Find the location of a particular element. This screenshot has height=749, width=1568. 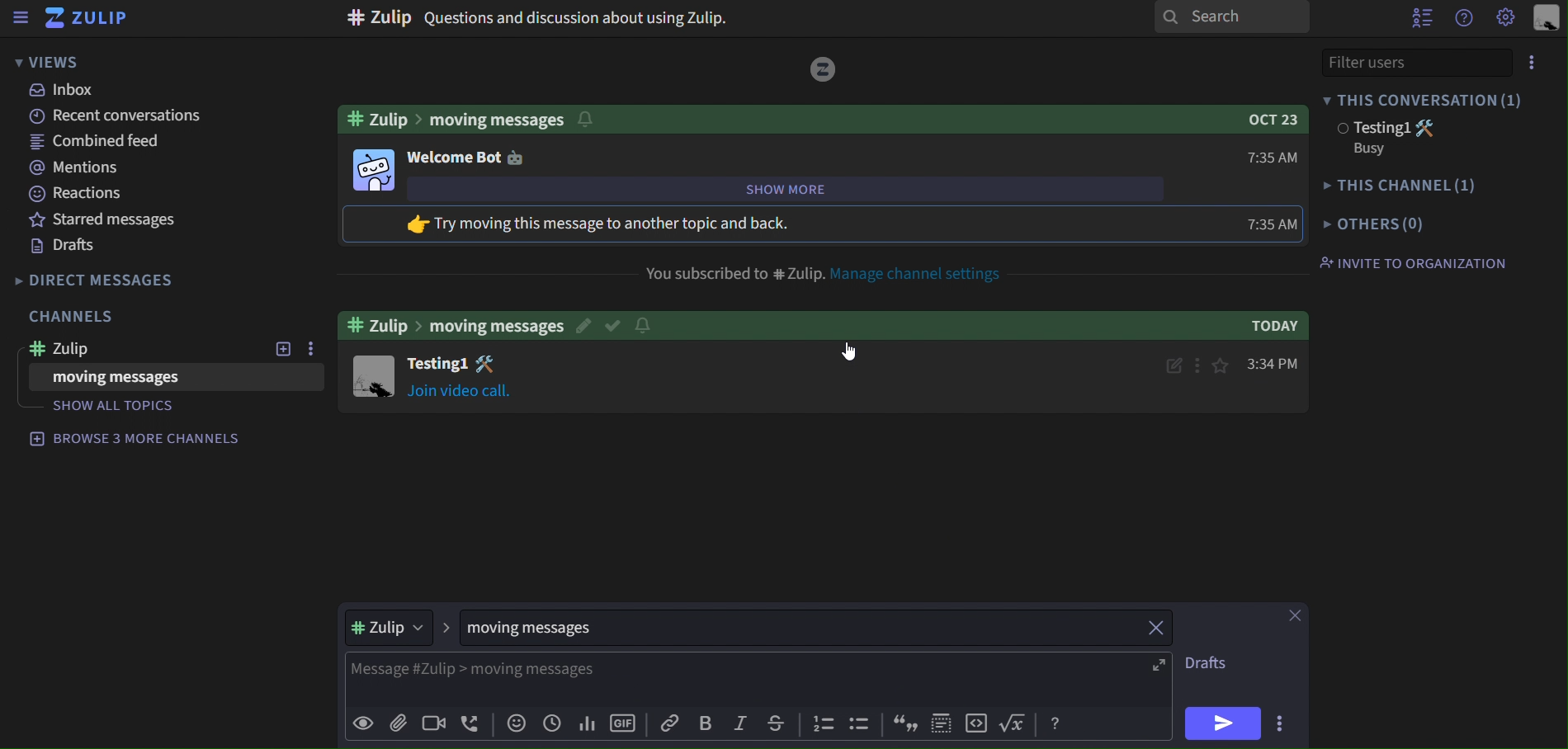

manage channel settings is located at coordinates (925, 275).